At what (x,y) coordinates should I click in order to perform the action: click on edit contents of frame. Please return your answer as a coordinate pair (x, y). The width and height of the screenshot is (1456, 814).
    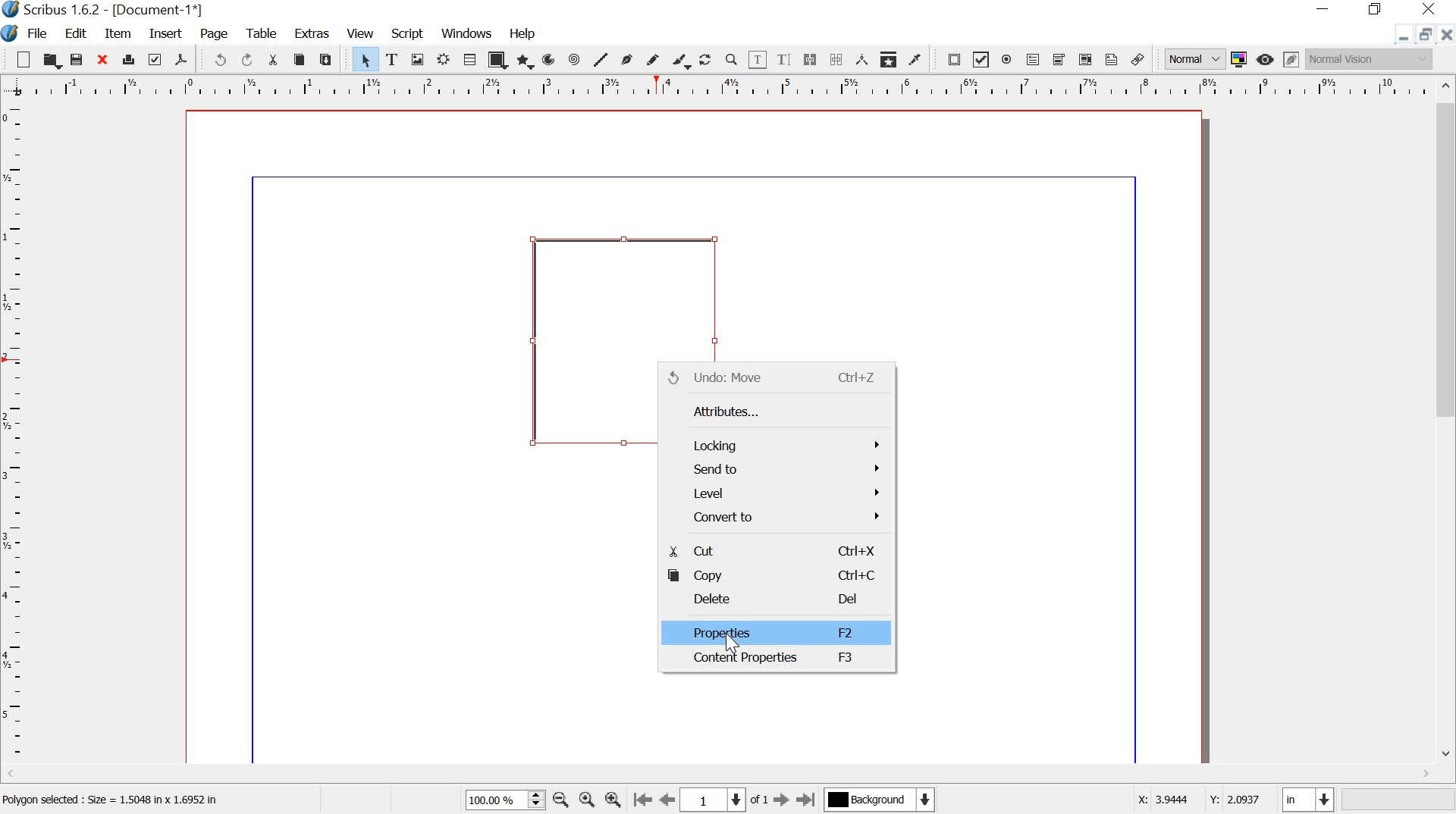
    Looking at the image, I should click on (757, 60).